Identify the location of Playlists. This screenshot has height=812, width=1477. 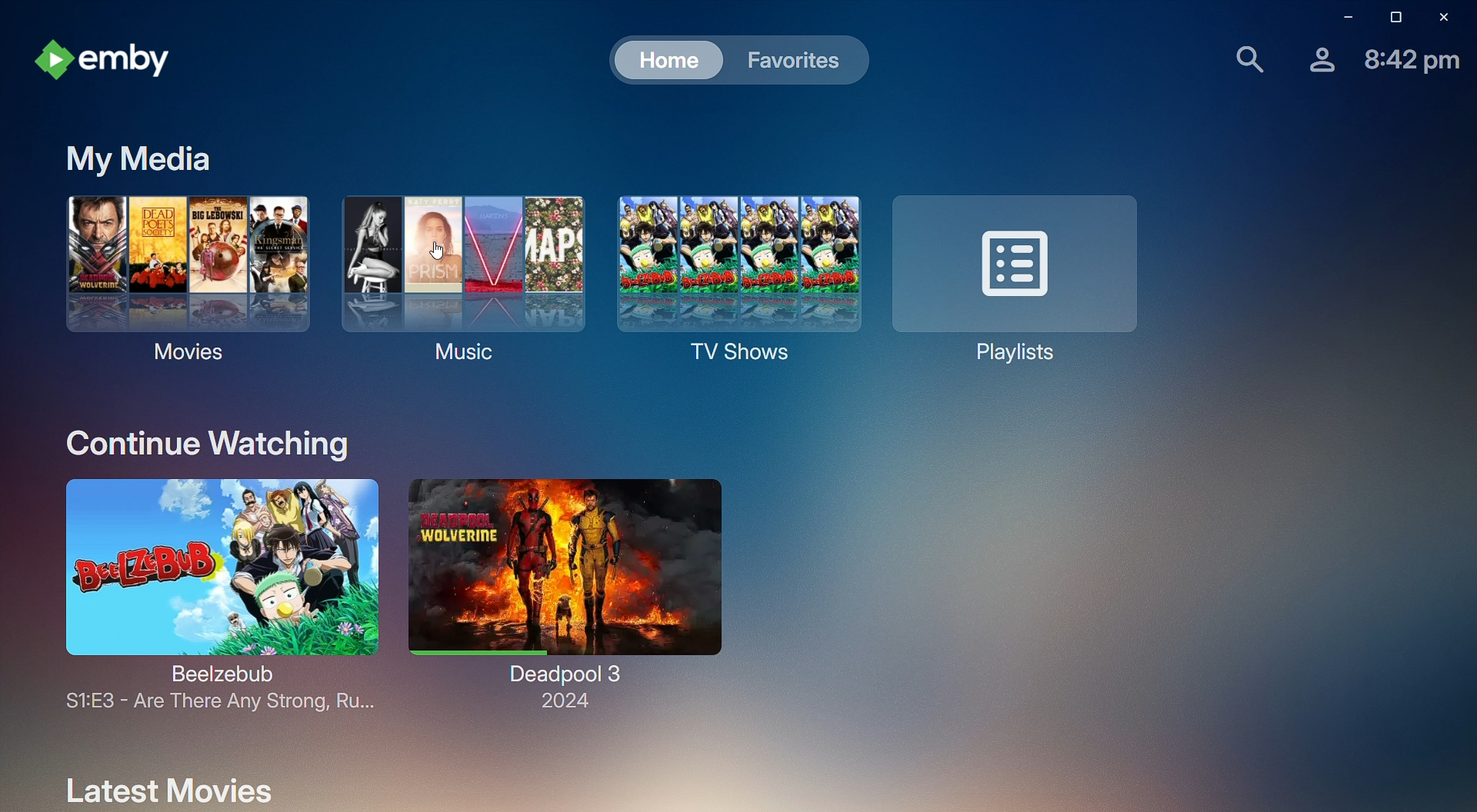
(1011, 278).